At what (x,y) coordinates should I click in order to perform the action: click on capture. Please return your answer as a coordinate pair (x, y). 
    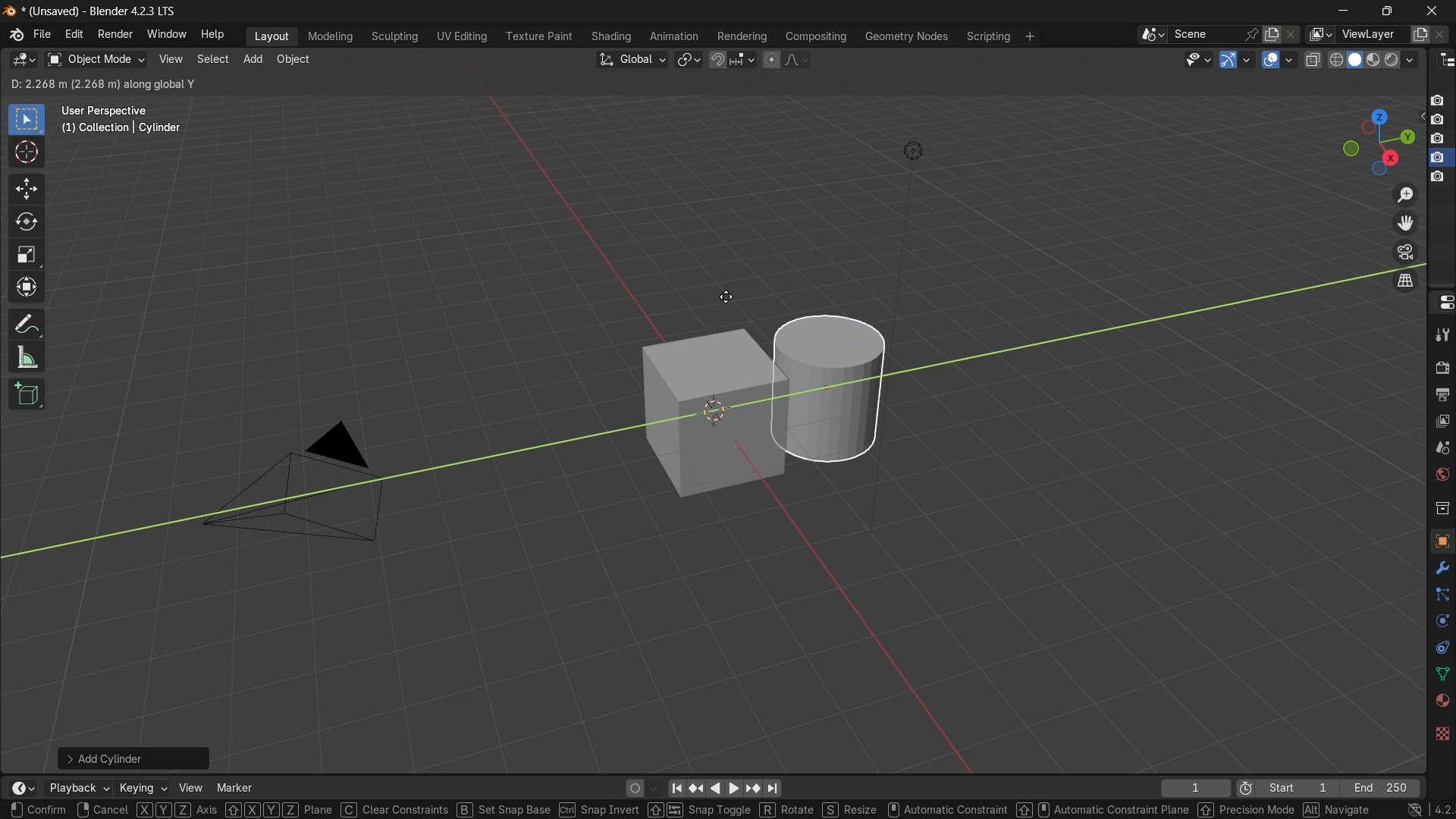
    Looking at the image, I should click on (1442, 99).